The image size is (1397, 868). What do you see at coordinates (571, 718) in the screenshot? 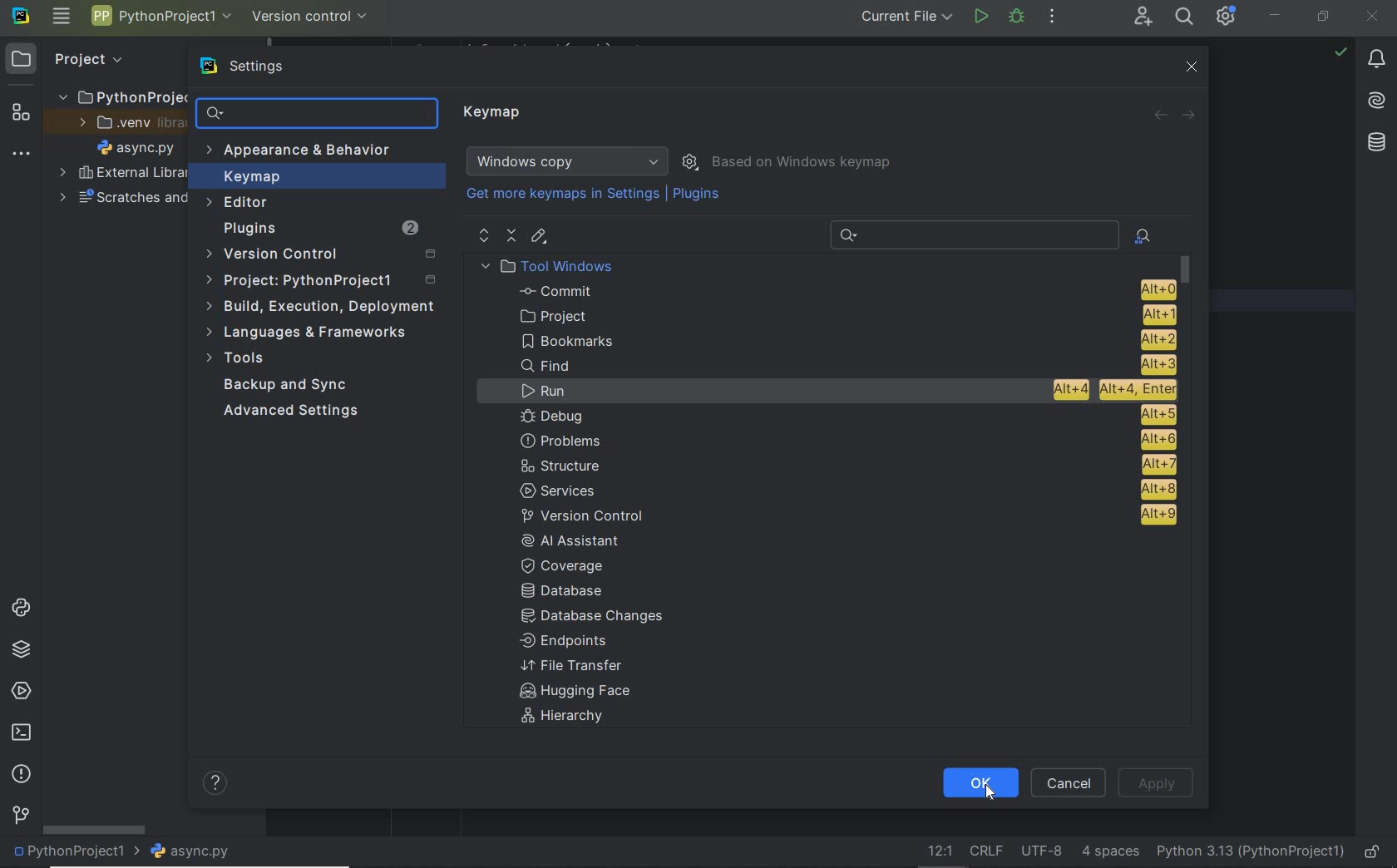
I see `Hierarchy` at bounding box center [571, 718].